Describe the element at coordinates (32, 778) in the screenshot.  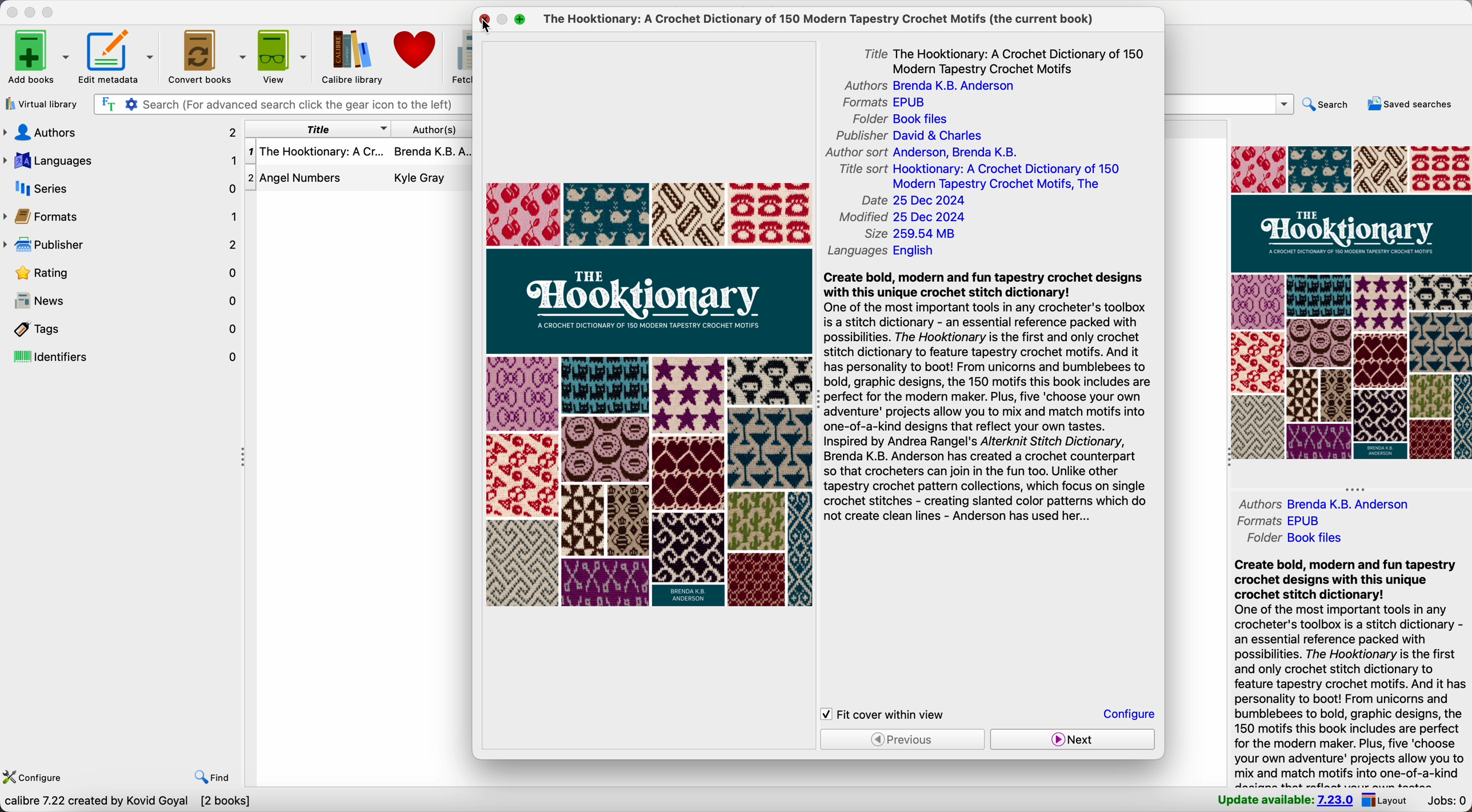
I see `configure` at that location.